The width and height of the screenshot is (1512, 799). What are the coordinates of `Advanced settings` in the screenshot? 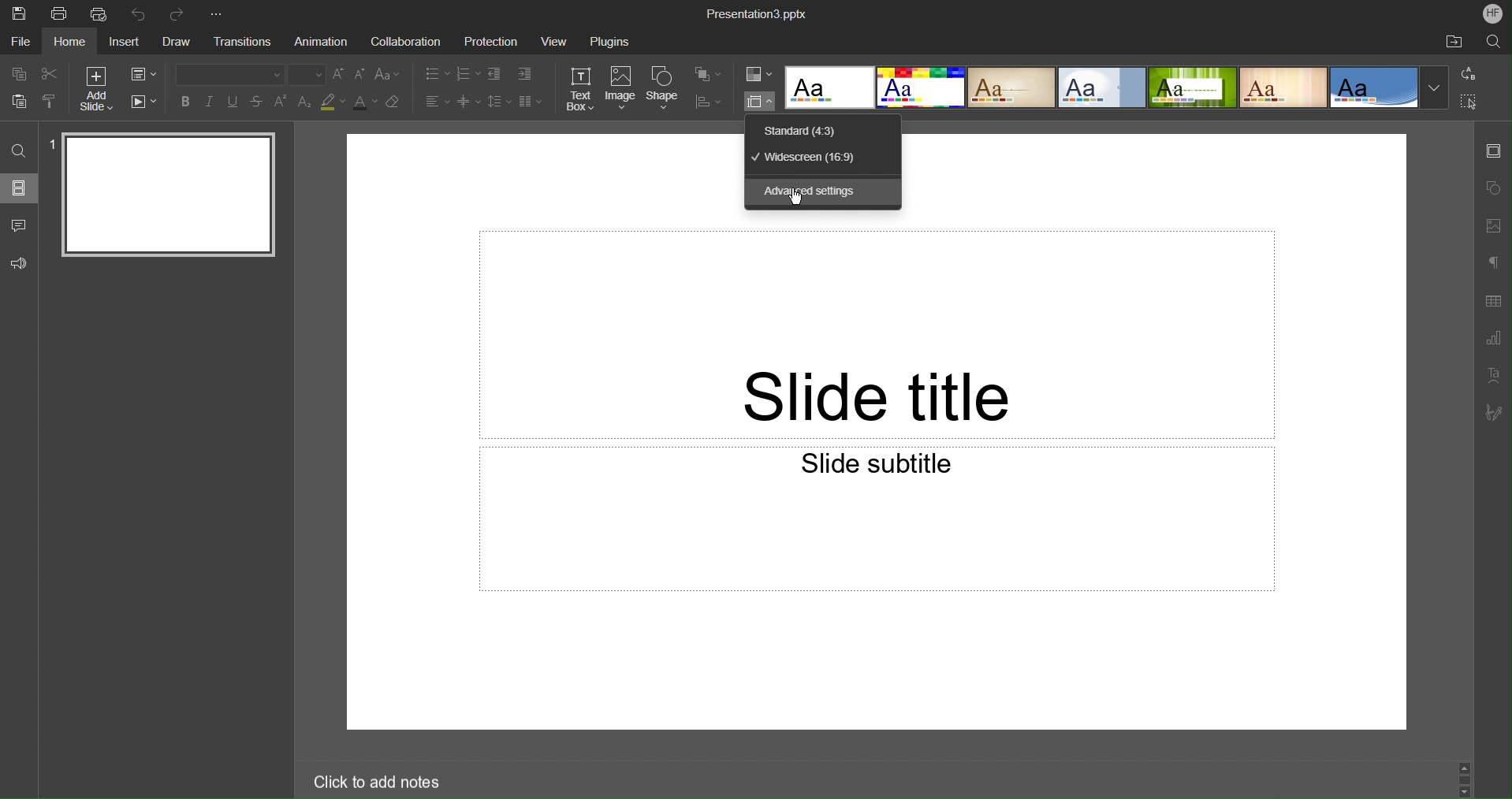 It's located at (813, 192).